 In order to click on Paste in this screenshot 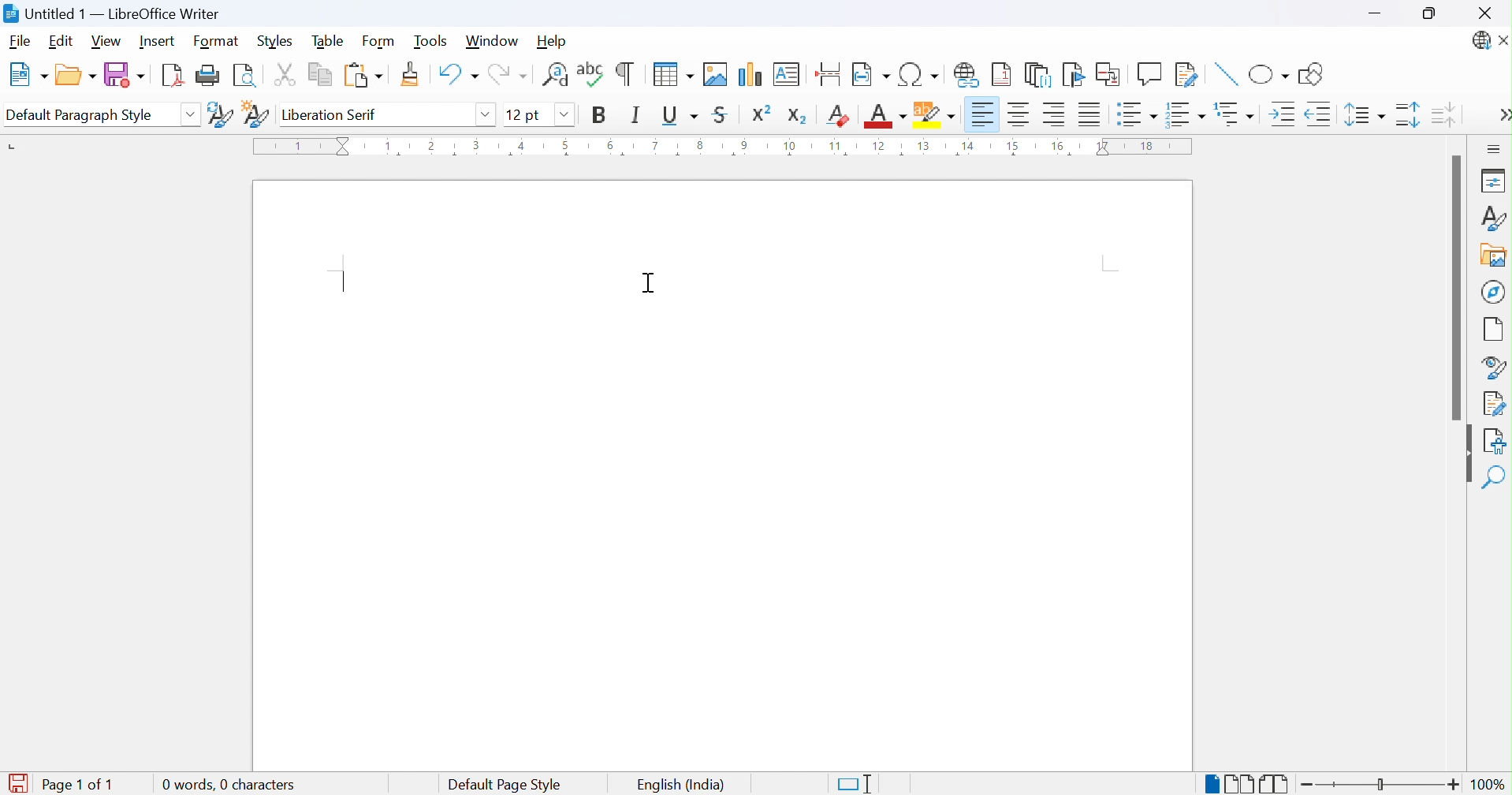, I will do `click(363, 76)`.